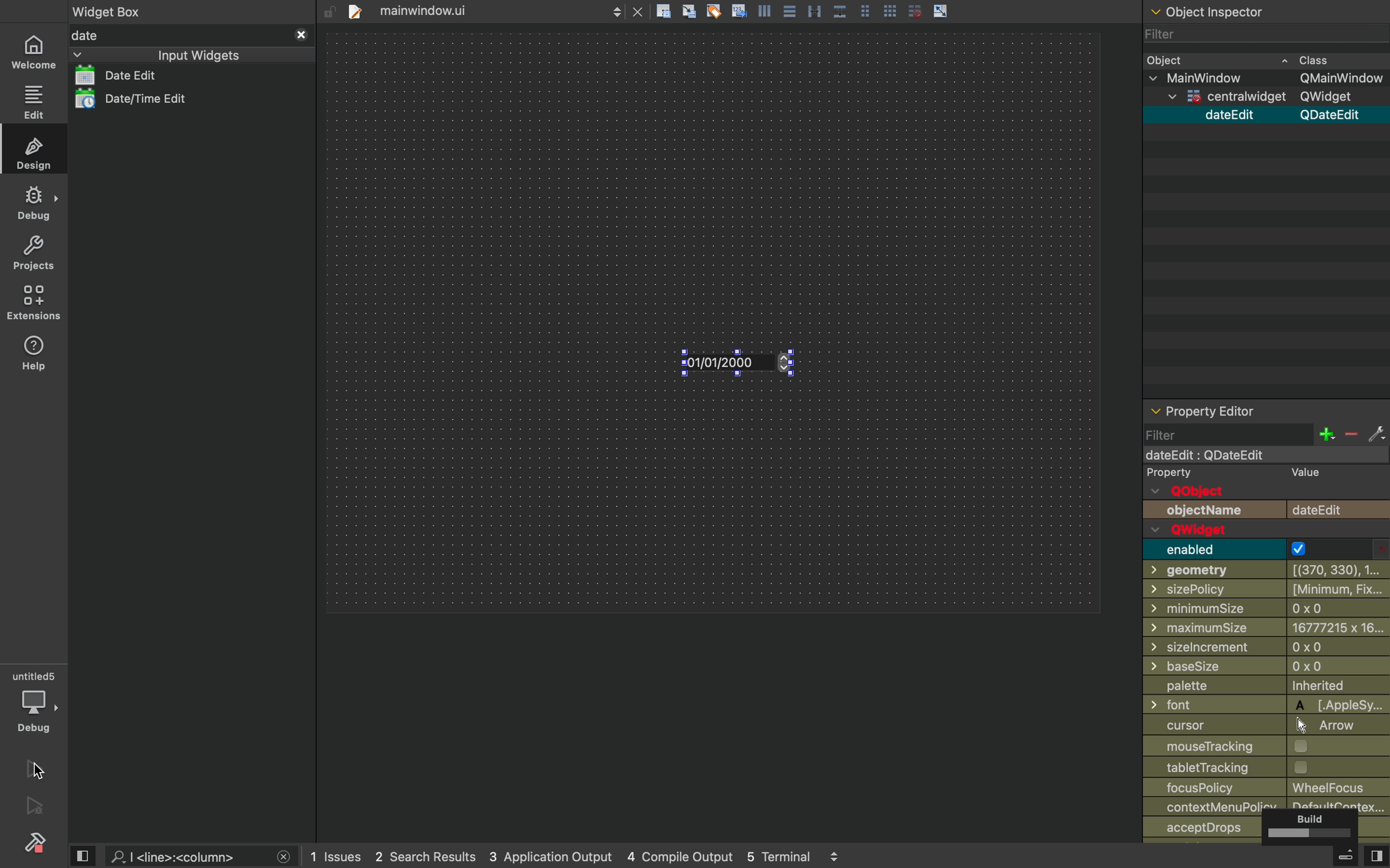 This screenshot has height=868, width=1390. Describe the element at coordinates (155, 99) in the screenshot. I see `date/time edit` at that location.